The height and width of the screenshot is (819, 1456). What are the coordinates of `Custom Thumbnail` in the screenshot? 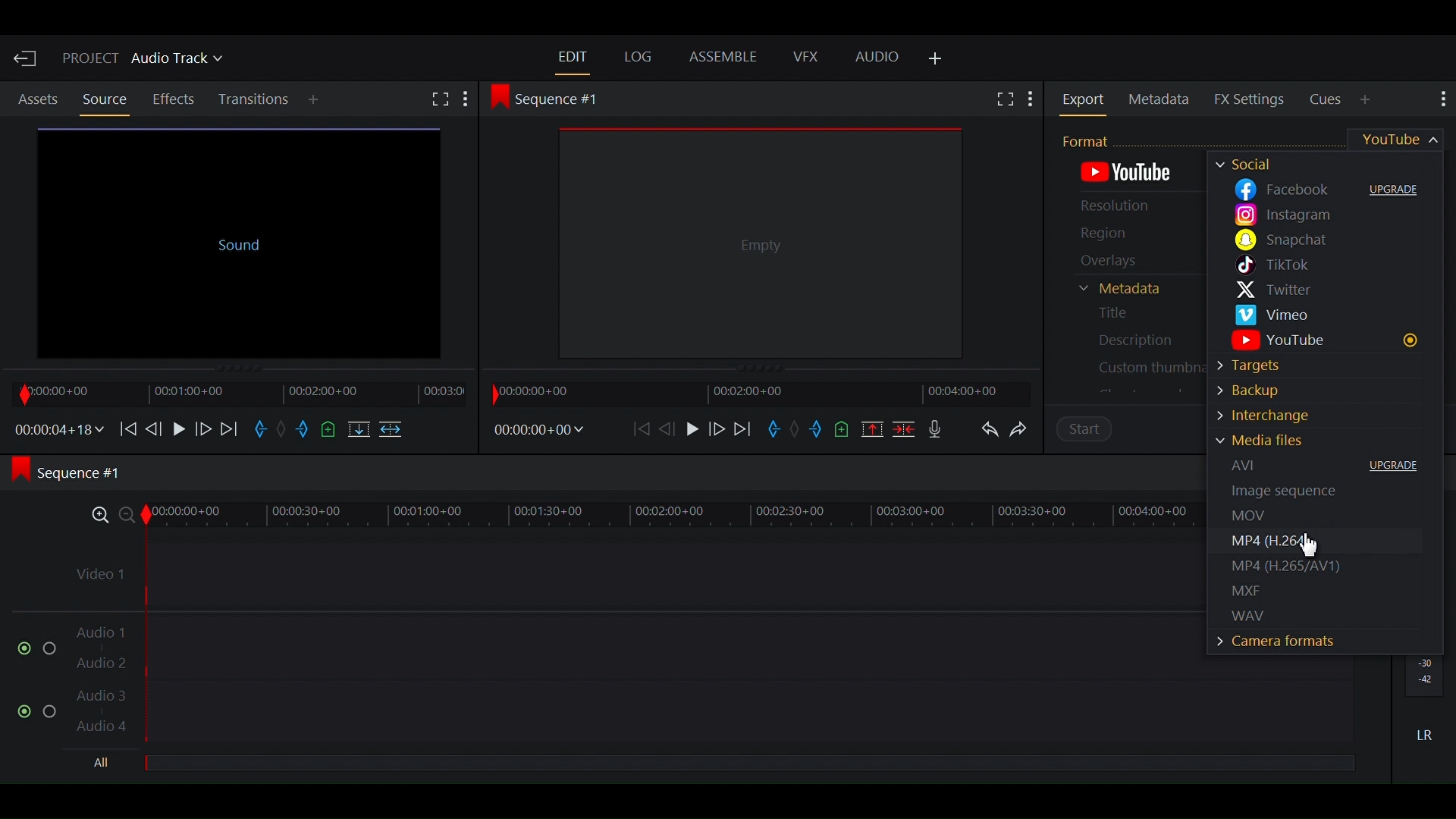 It's located at (1135, 366).